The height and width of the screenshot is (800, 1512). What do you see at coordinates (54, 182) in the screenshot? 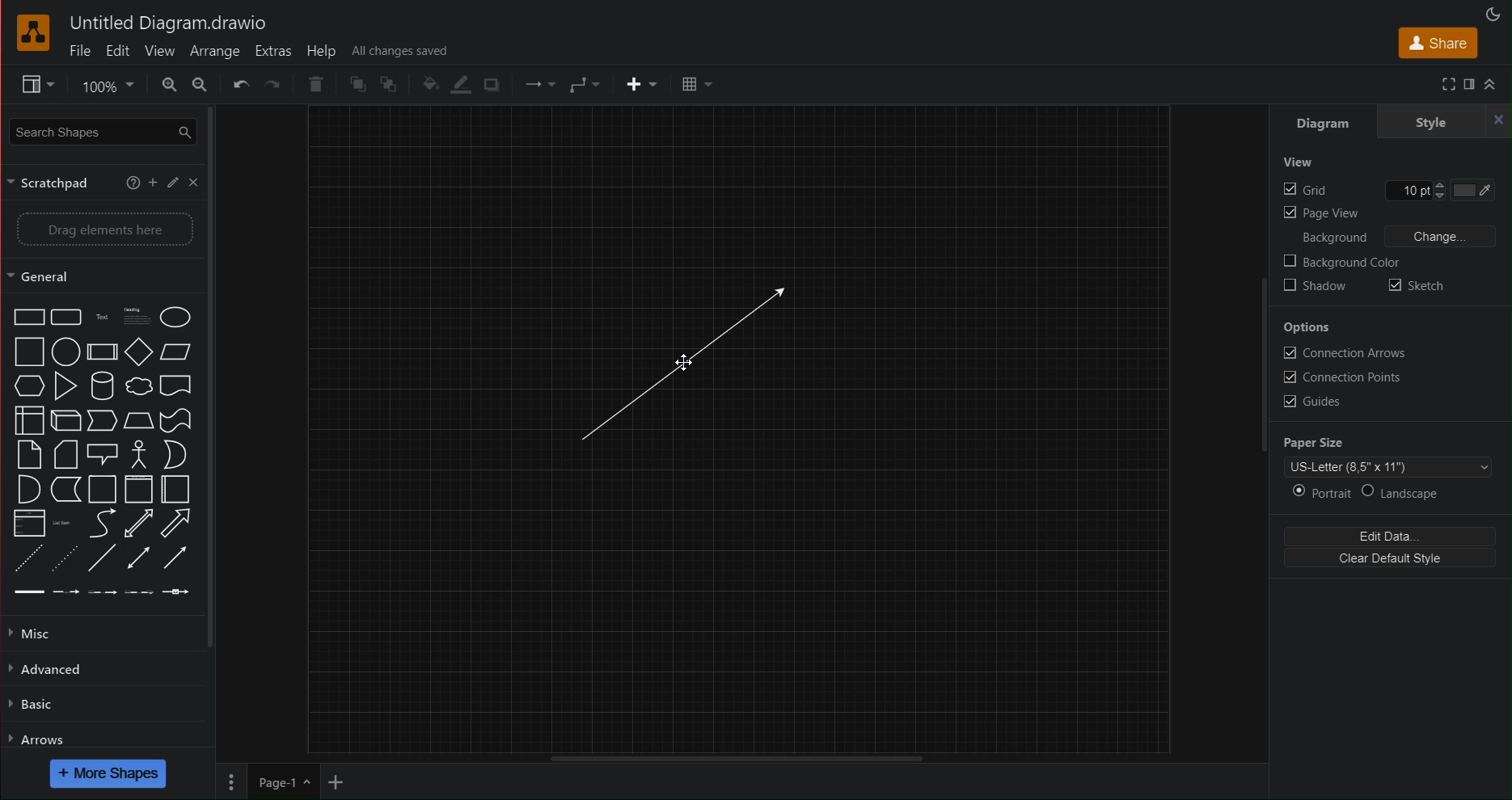
I see `Scratchpad` at bounding box center [54, 182].